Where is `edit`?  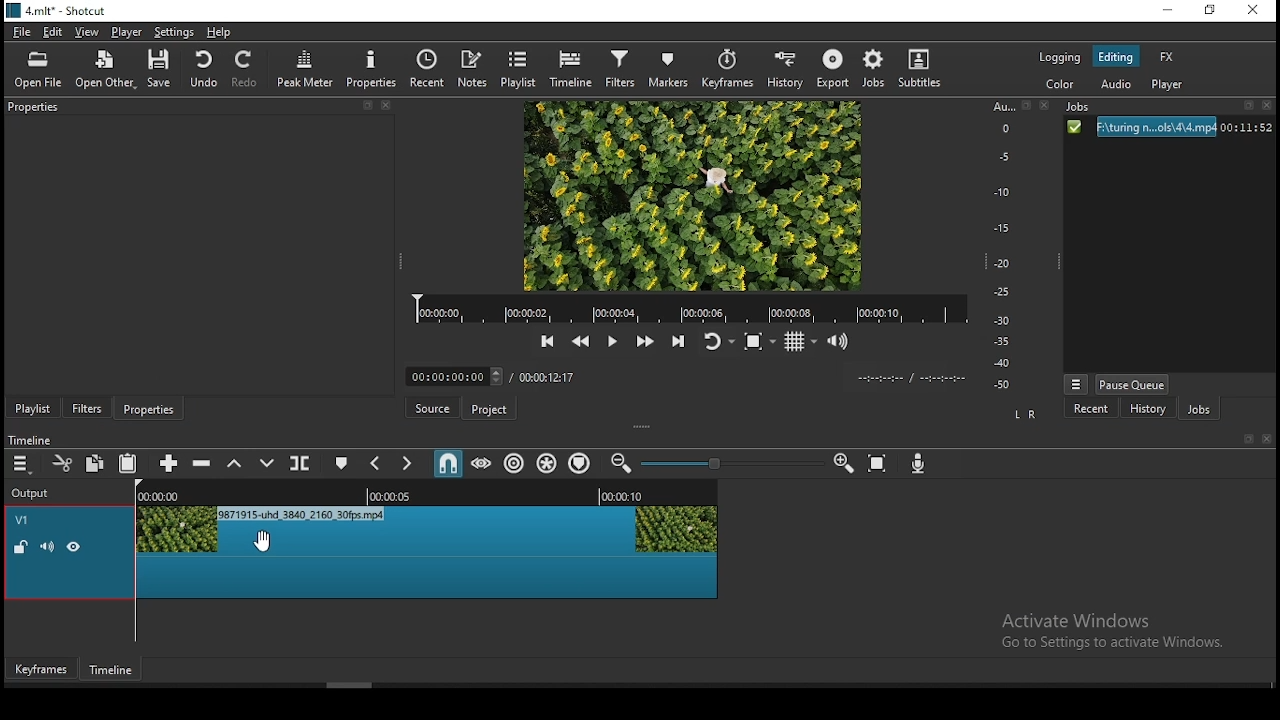 edit is located at coordinates (53, 33).